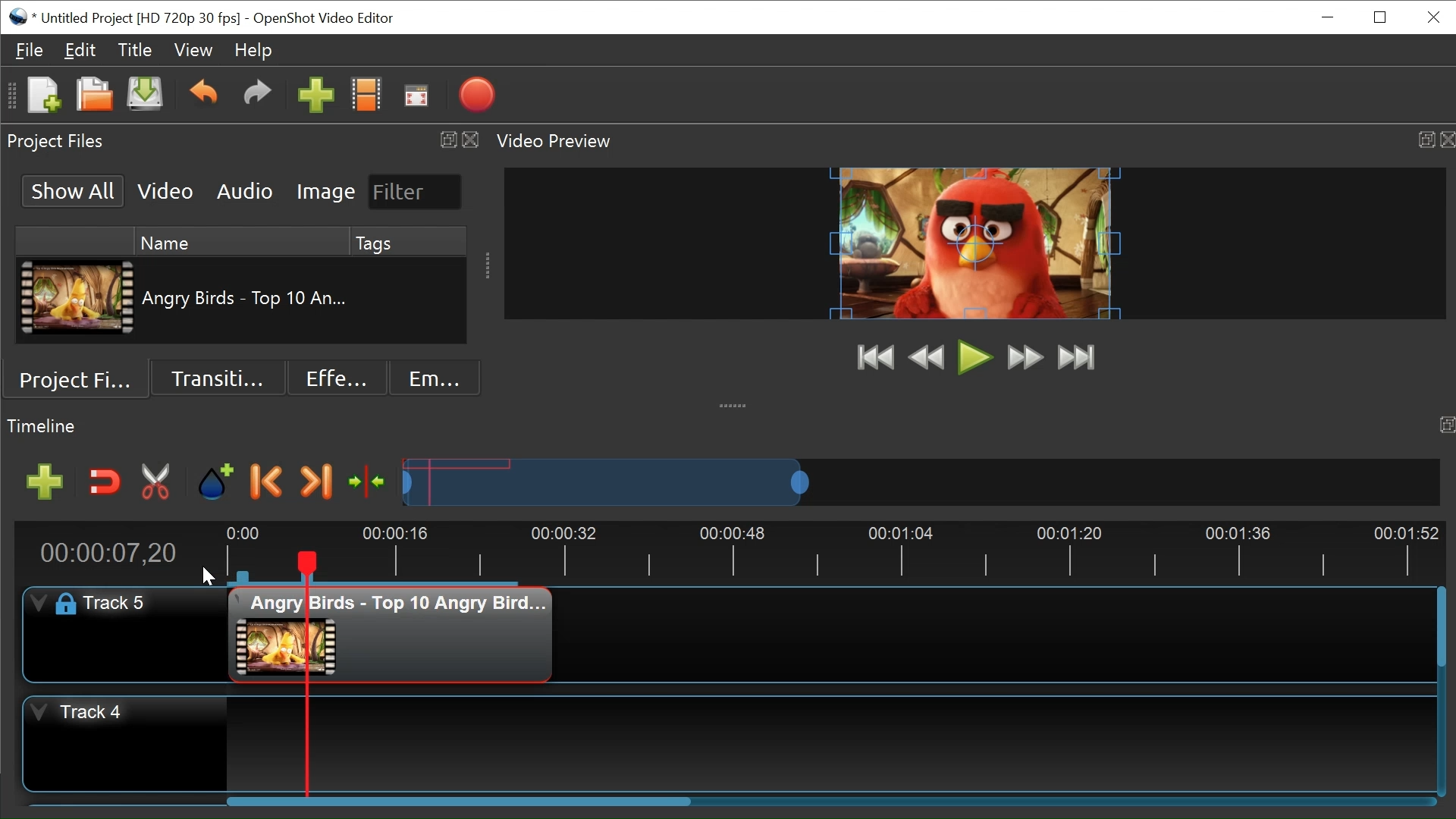 The width and height of the screenshot is (1456, 819). Describe the element at coordinates (60, 604) in the screenshot. I see `lock` at that location.